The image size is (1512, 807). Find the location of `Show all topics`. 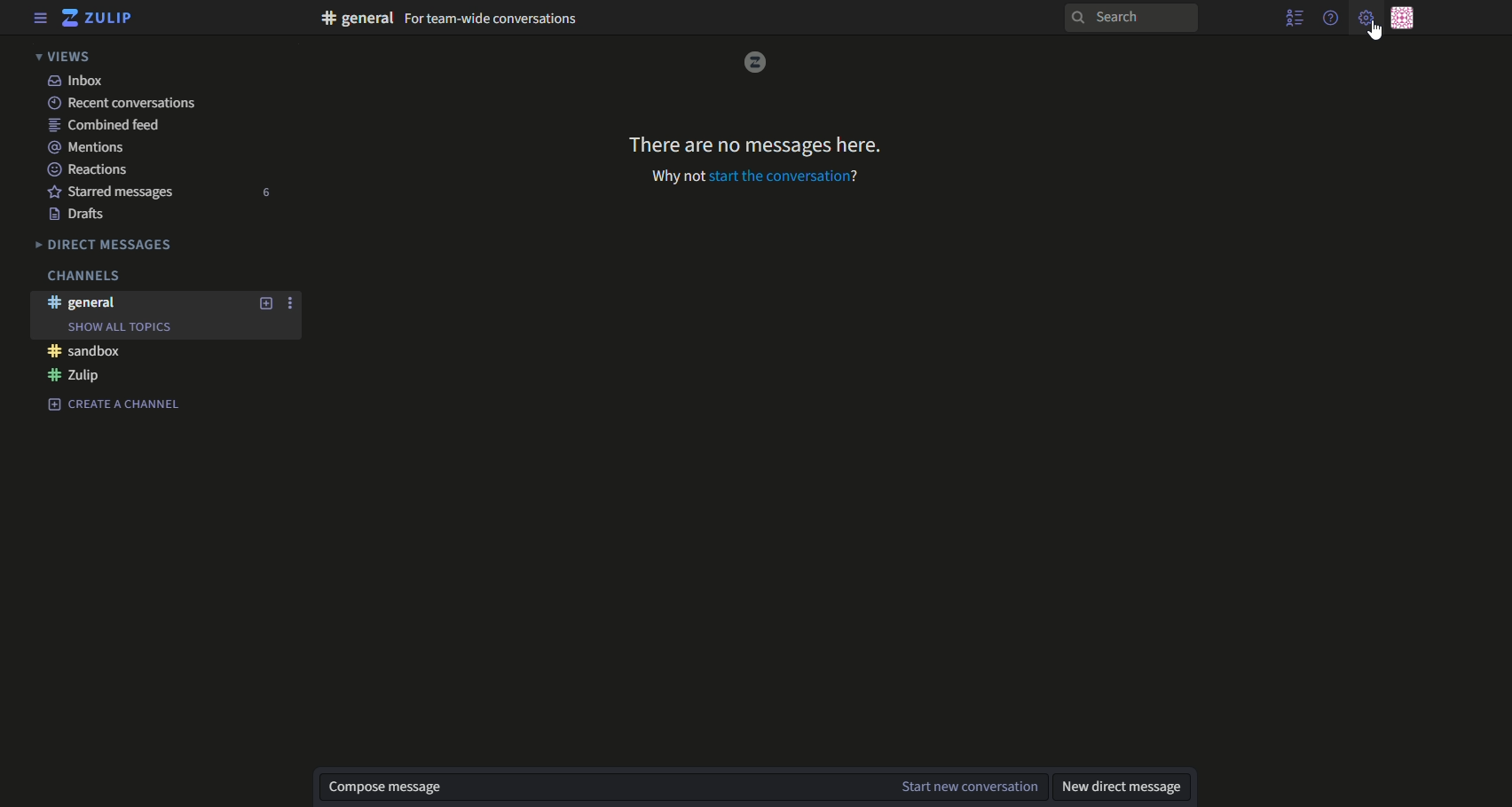

Show all topics is located at coordinates (119, 327).